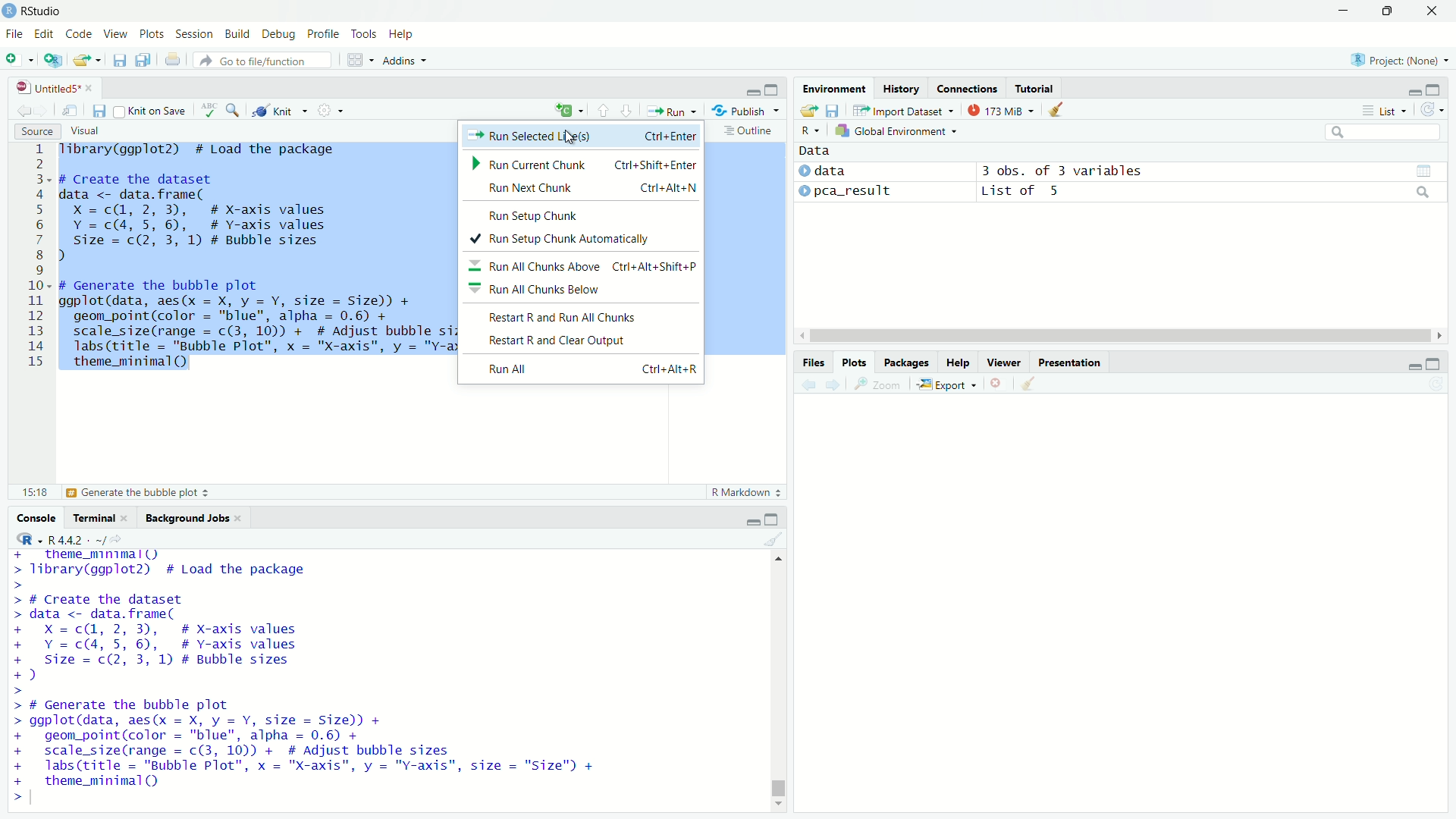  What do you see at coordinates (234, 108) in the screenshot?
I see `find and replace` at bounding box center [234, 108].